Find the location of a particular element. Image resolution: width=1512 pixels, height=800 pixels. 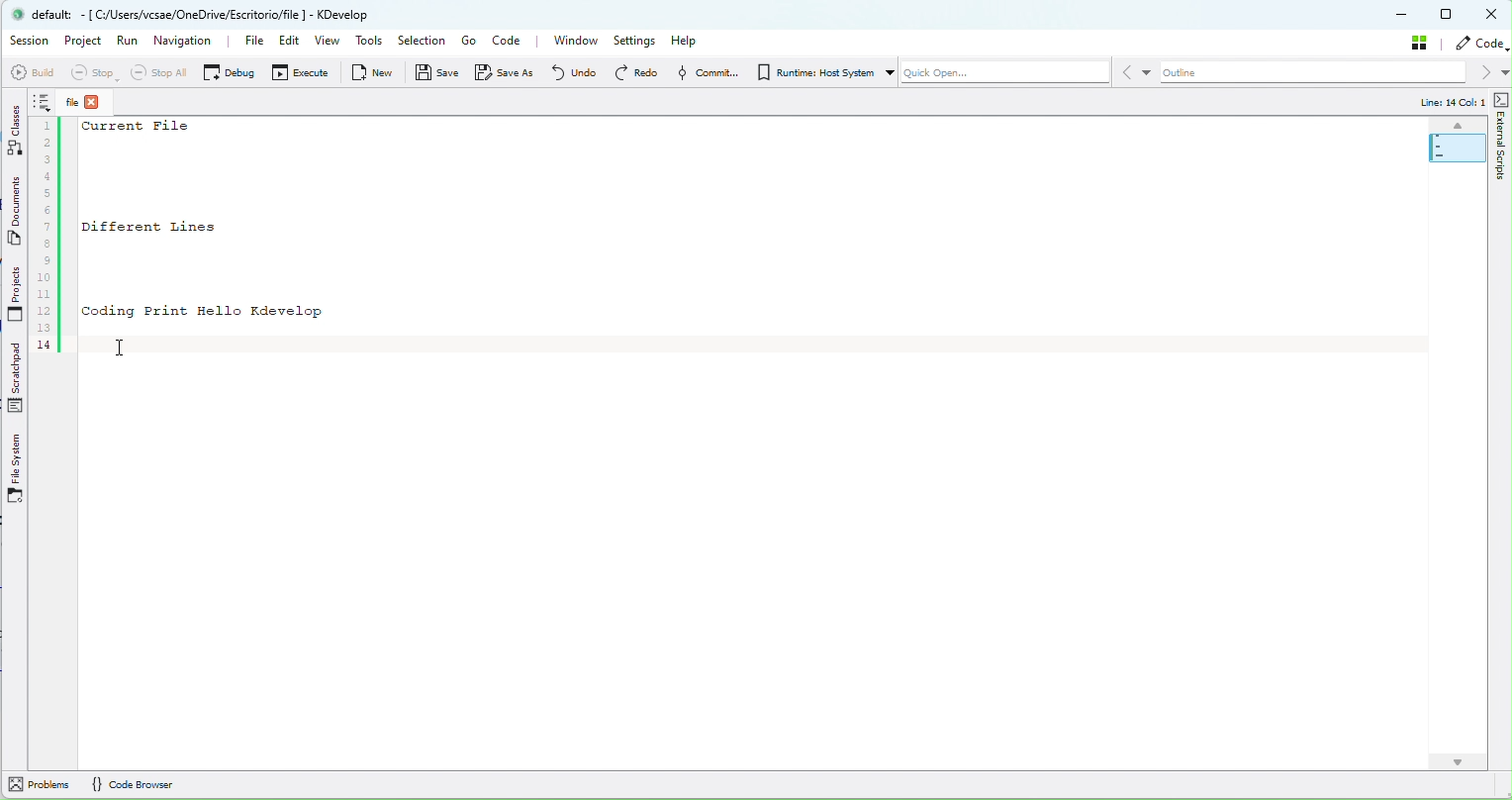

Text Cursor is located at coordinates (129, 349).